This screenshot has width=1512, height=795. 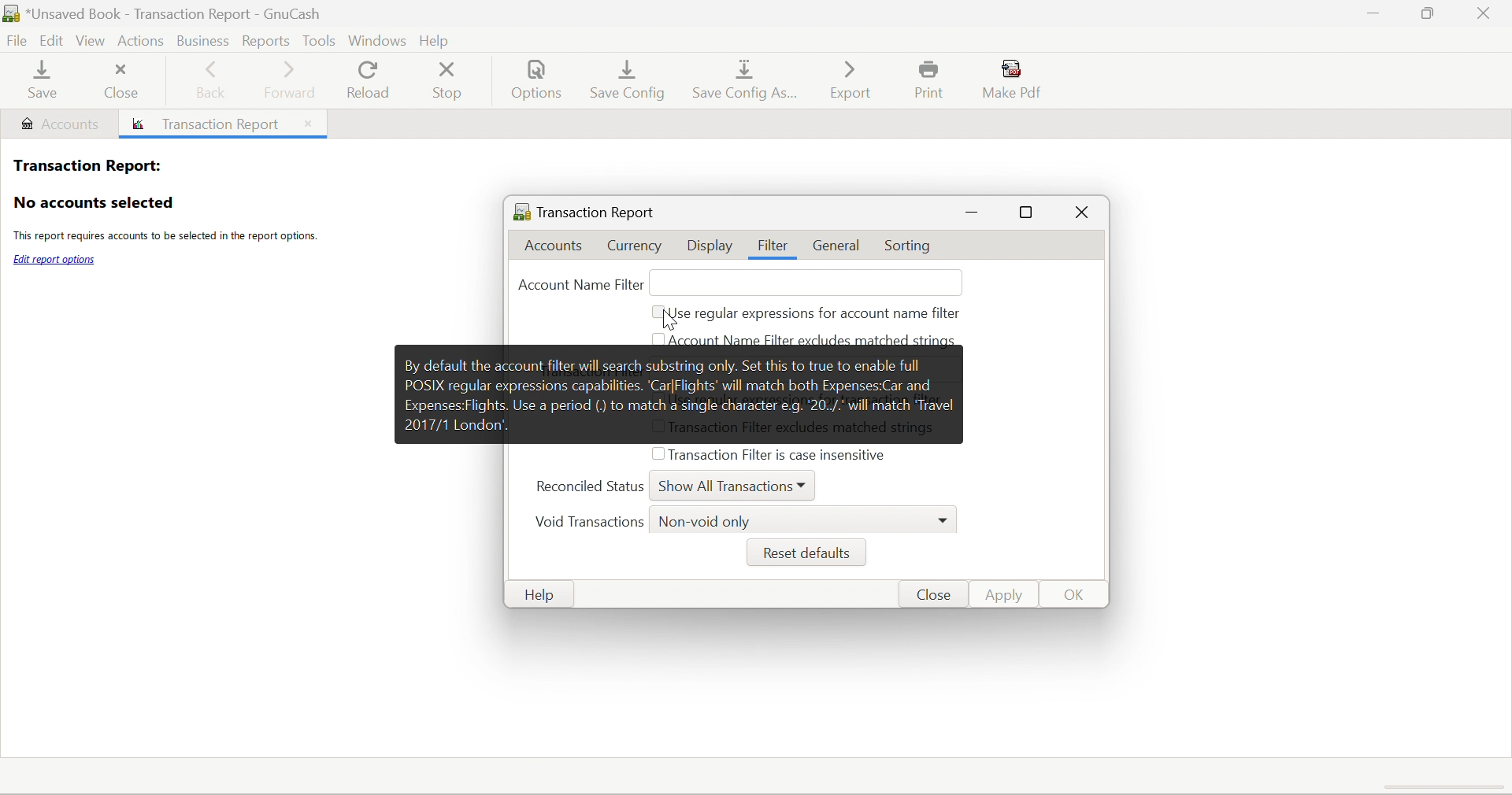 I want to click on Transaction Report:, so click(x=86, y=164).